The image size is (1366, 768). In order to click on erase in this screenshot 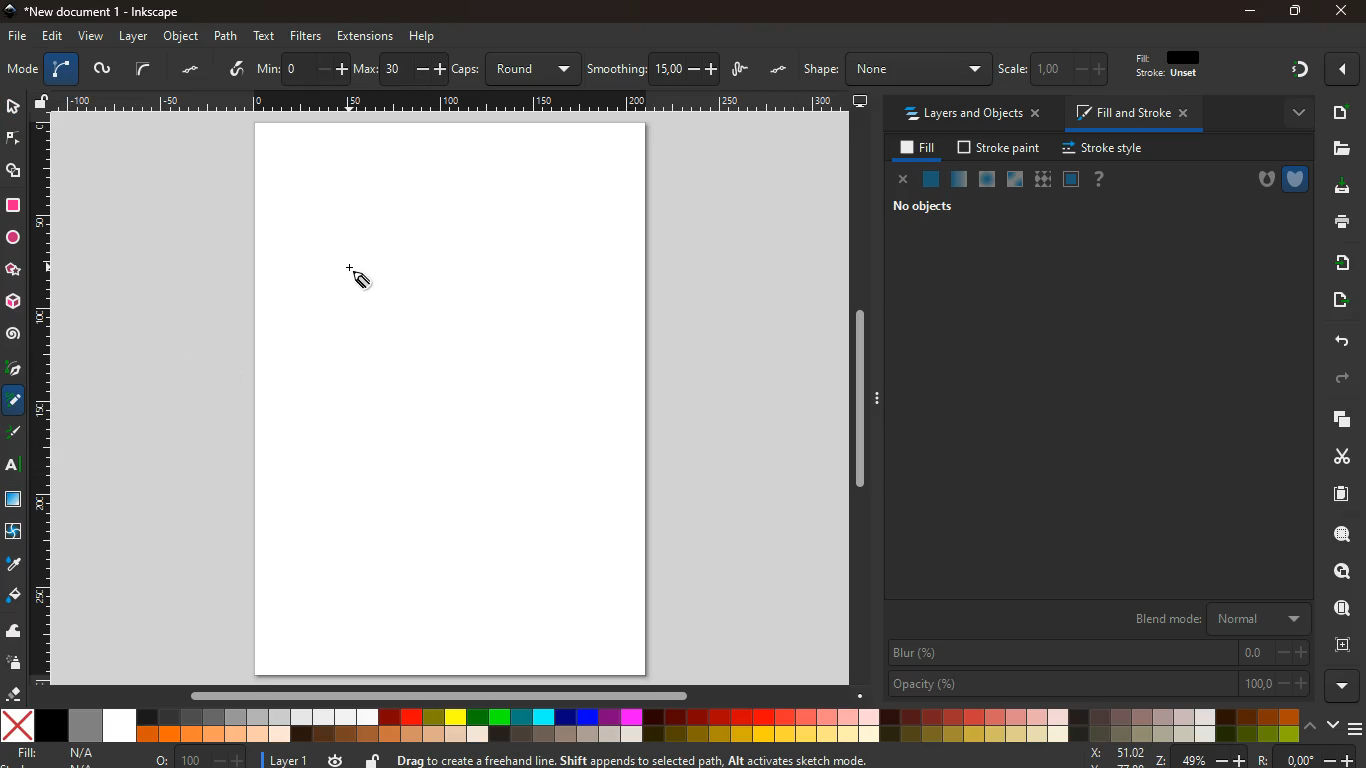, I will do `click(14, 694)`.